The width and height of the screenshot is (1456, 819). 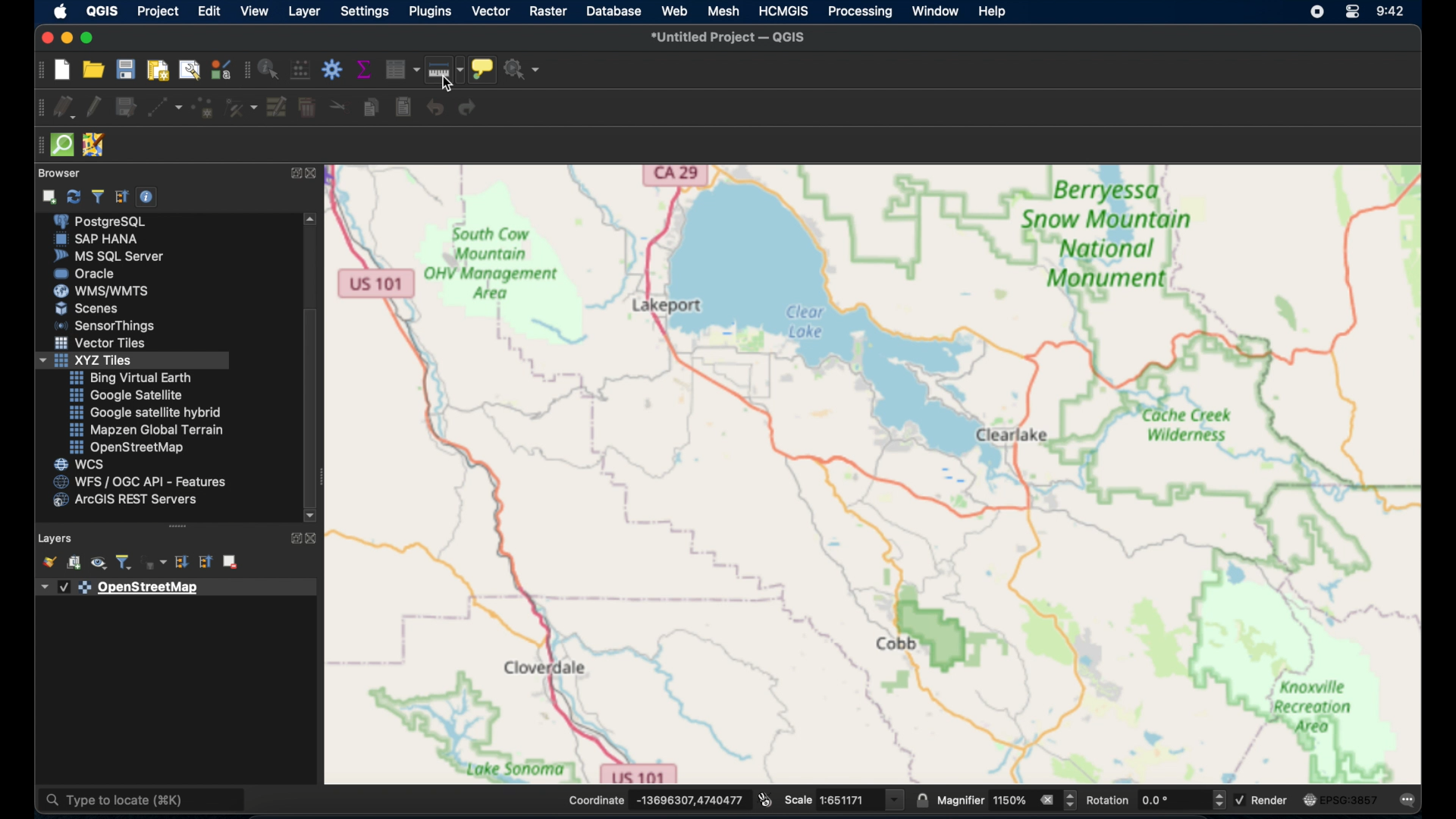 What do you see at coordinates (108, 256) in the screenshot?
I see `ms sql server` at bounding box center [108, 256].